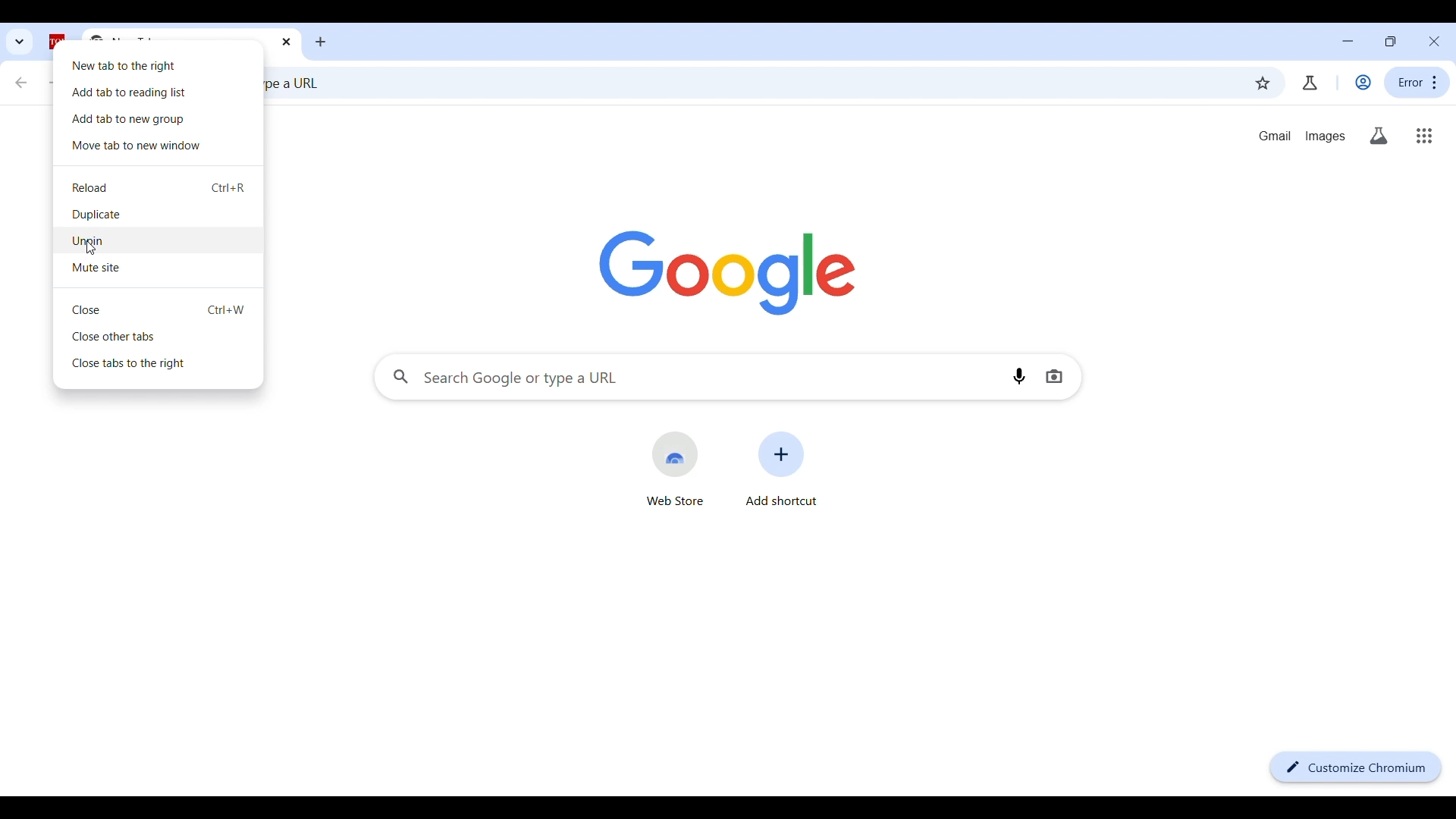 Image resolution: width=1456 pixels, height=819 pixels. I want to click on Search Google search engine box, so click(689, 376).